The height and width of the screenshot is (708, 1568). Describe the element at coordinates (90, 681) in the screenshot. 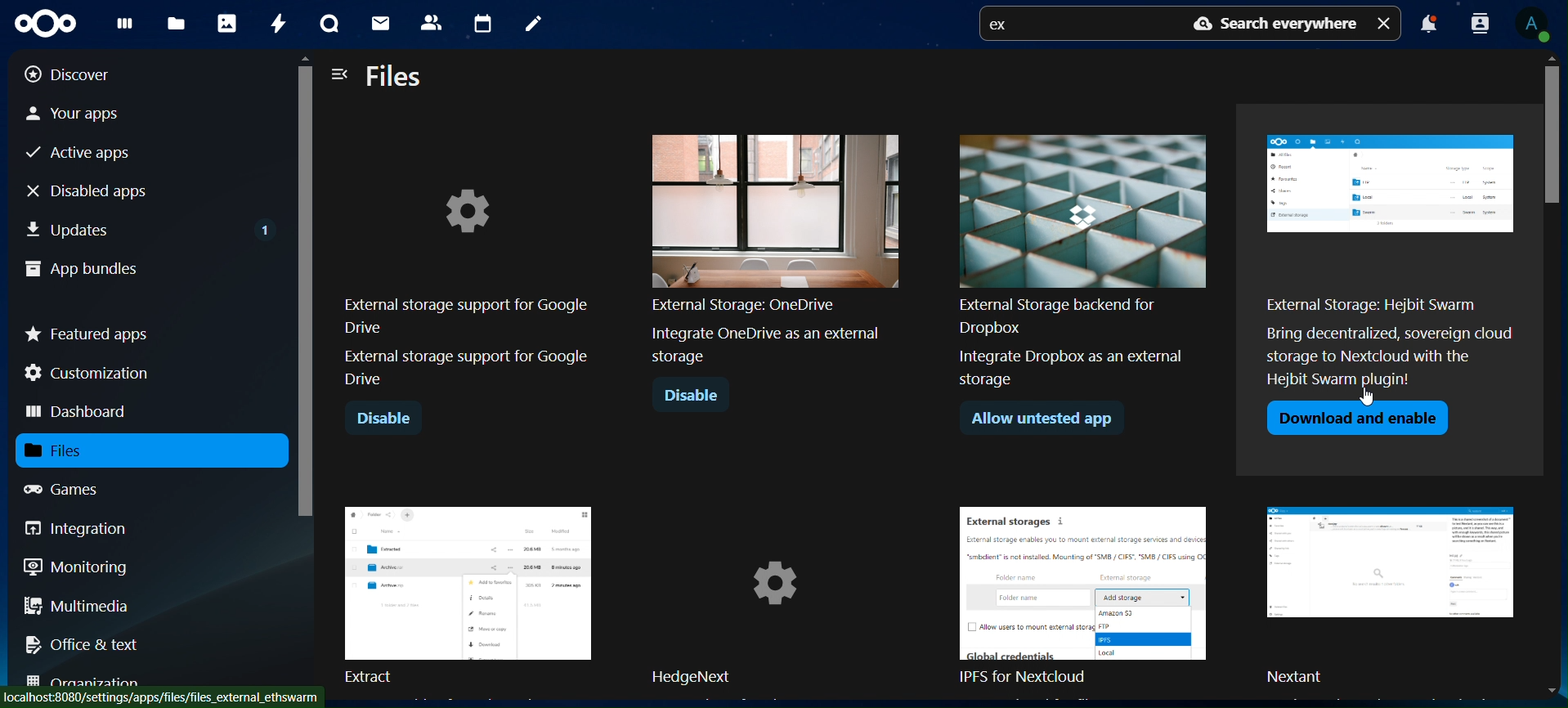

I see `organization` at that location.